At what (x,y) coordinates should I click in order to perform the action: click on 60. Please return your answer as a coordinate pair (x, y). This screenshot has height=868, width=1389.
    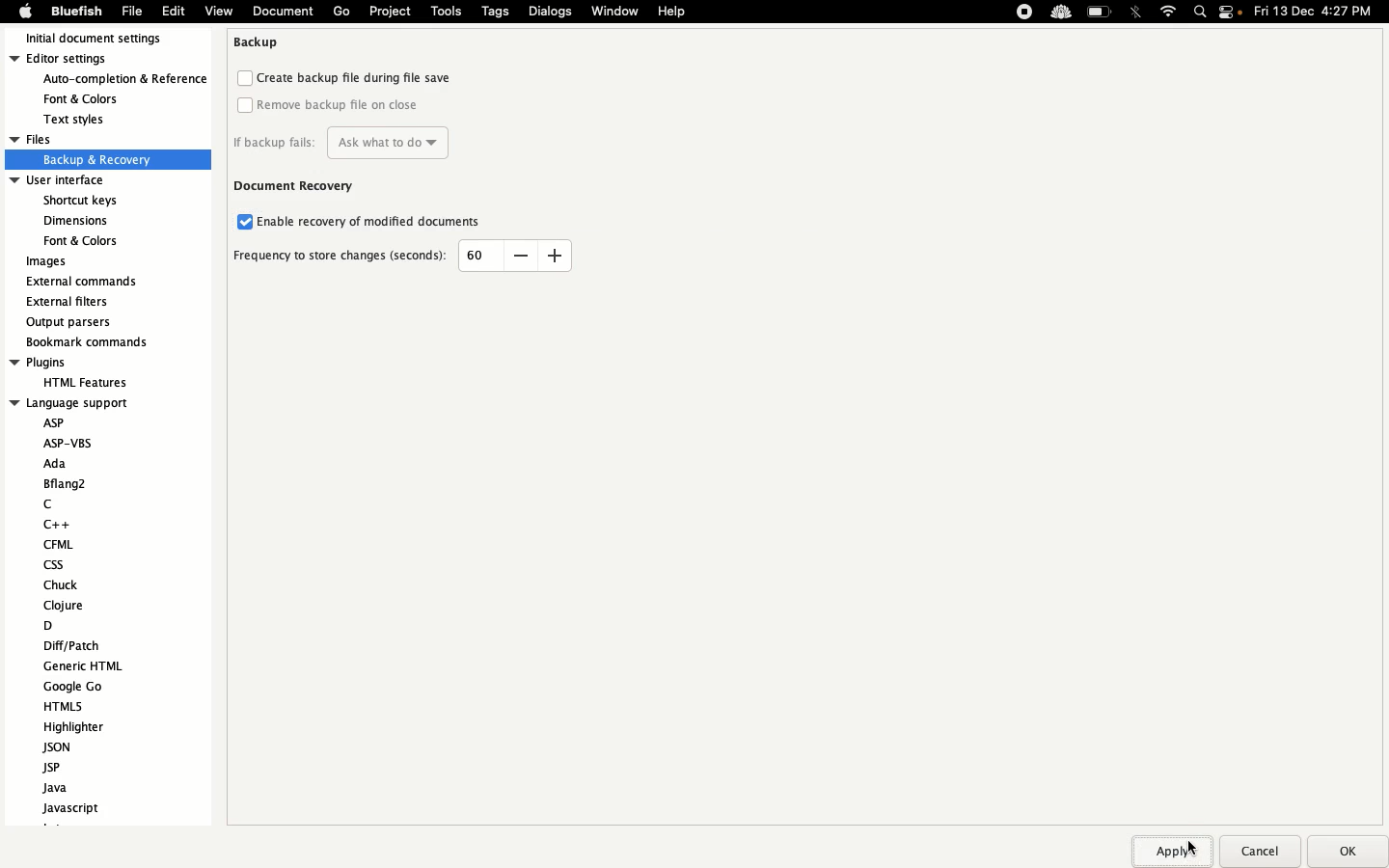
    Looking at the image, I should click on (475, 253).